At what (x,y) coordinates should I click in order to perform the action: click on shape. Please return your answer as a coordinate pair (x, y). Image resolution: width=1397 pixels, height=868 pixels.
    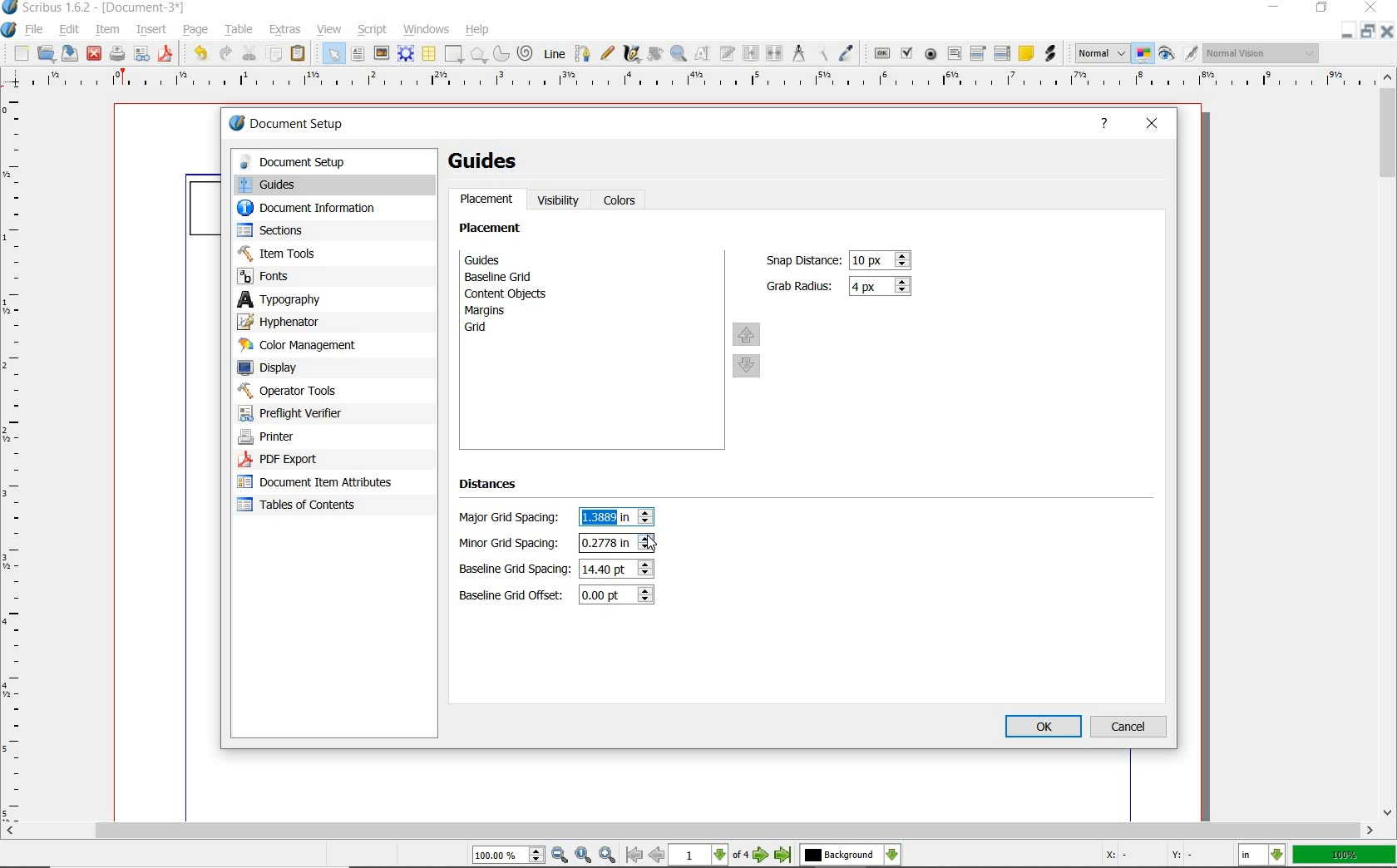
    Looking at the image, I should click on (455, 55).